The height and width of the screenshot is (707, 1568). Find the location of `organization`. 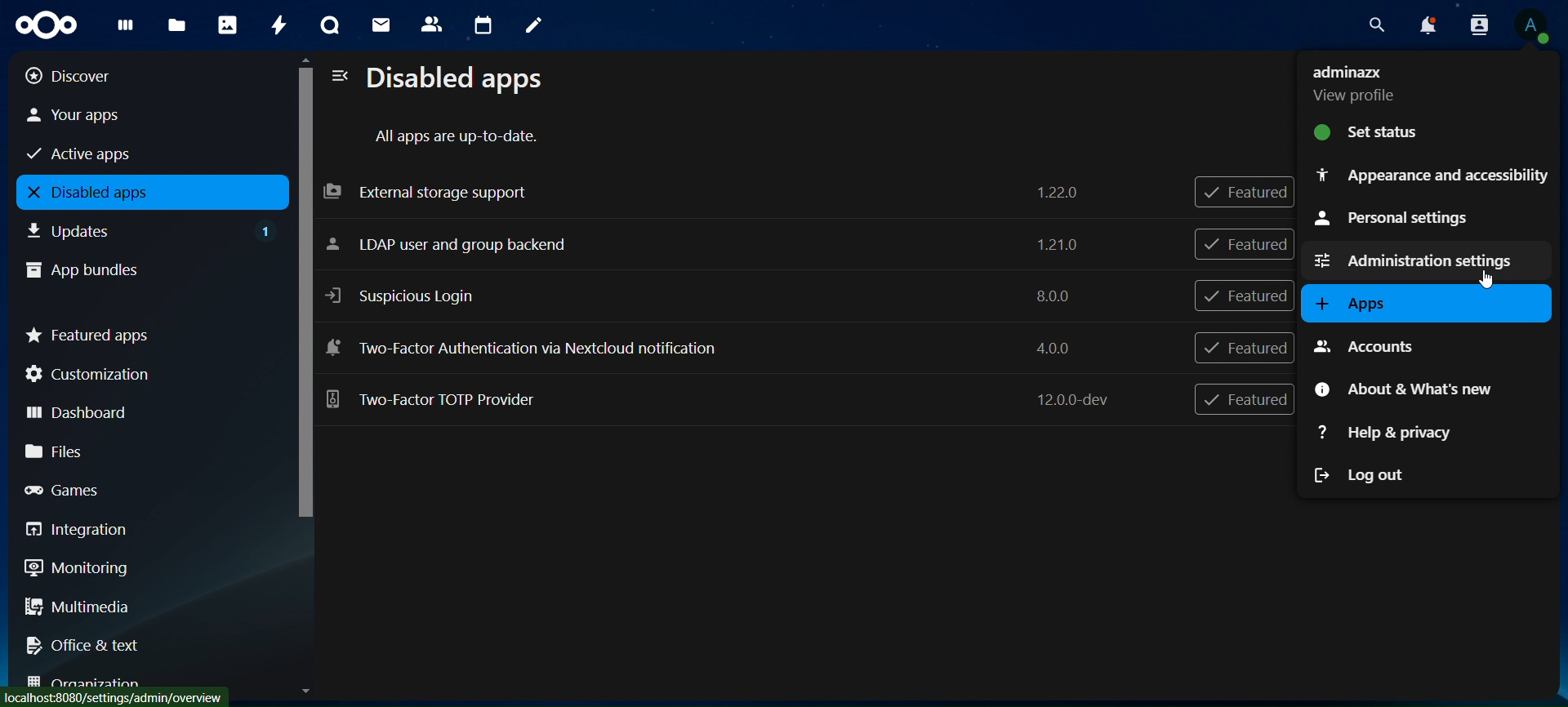

organization is located at coordinates (147, 684).